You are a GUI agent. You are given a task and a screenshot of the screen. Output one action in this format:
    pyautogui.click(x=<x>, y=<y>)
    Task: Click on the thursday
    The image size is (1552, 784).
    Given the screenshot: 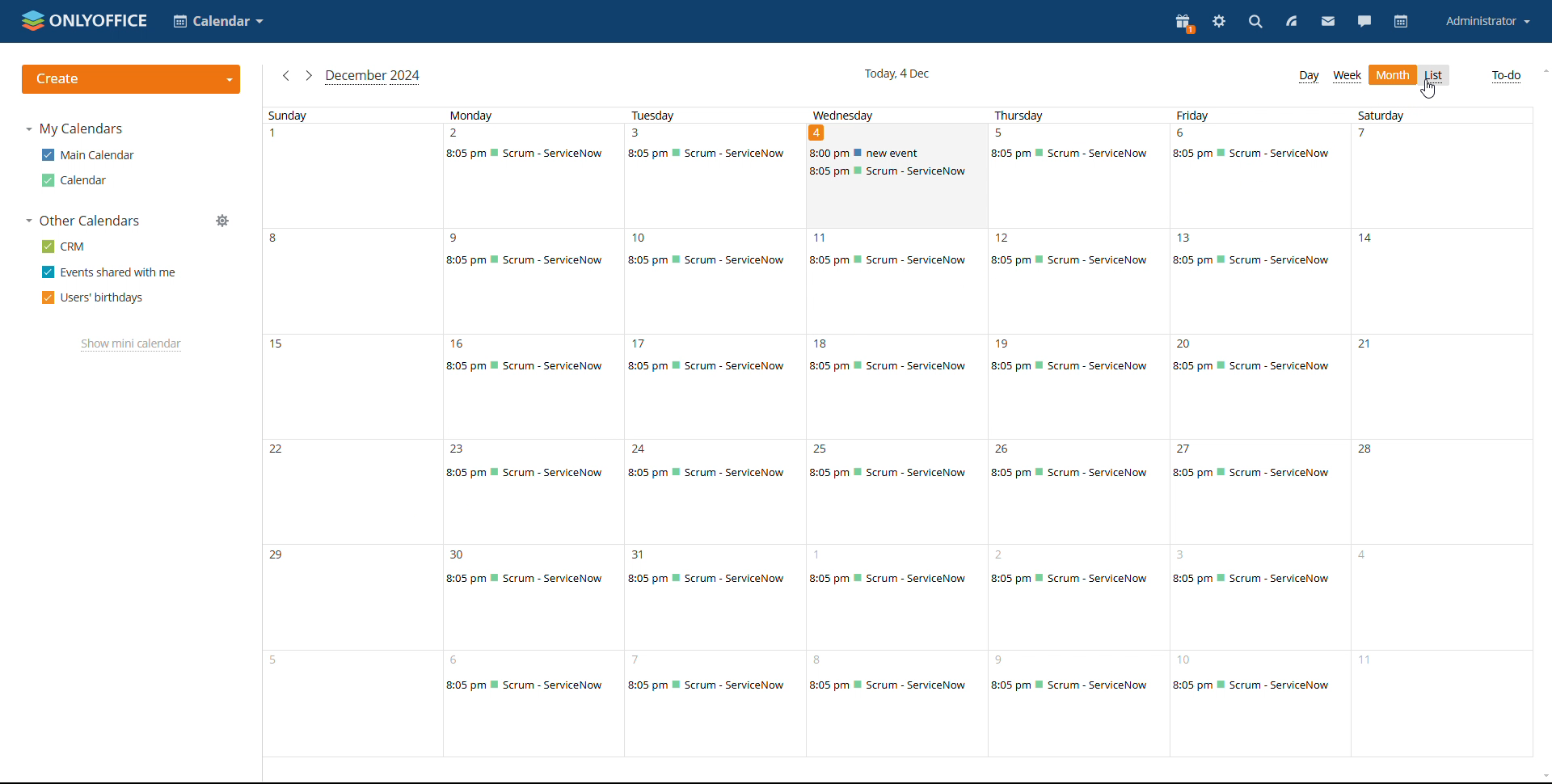 What is the action you would take?
    pyautogui.click(x=1072, y=515)
    